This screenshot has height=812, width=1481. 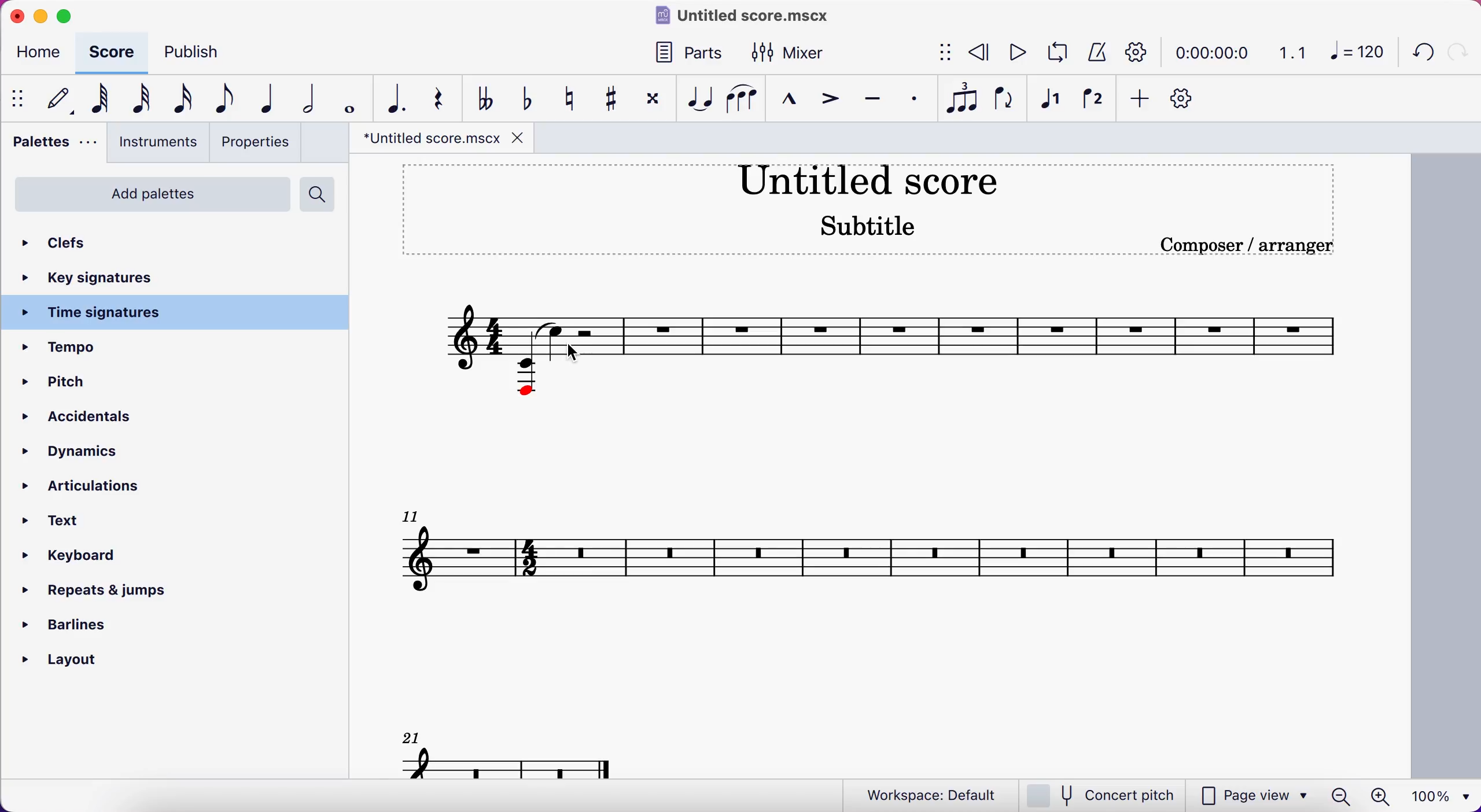 I want to click on concert pitch, so click(x=1097, y=795).